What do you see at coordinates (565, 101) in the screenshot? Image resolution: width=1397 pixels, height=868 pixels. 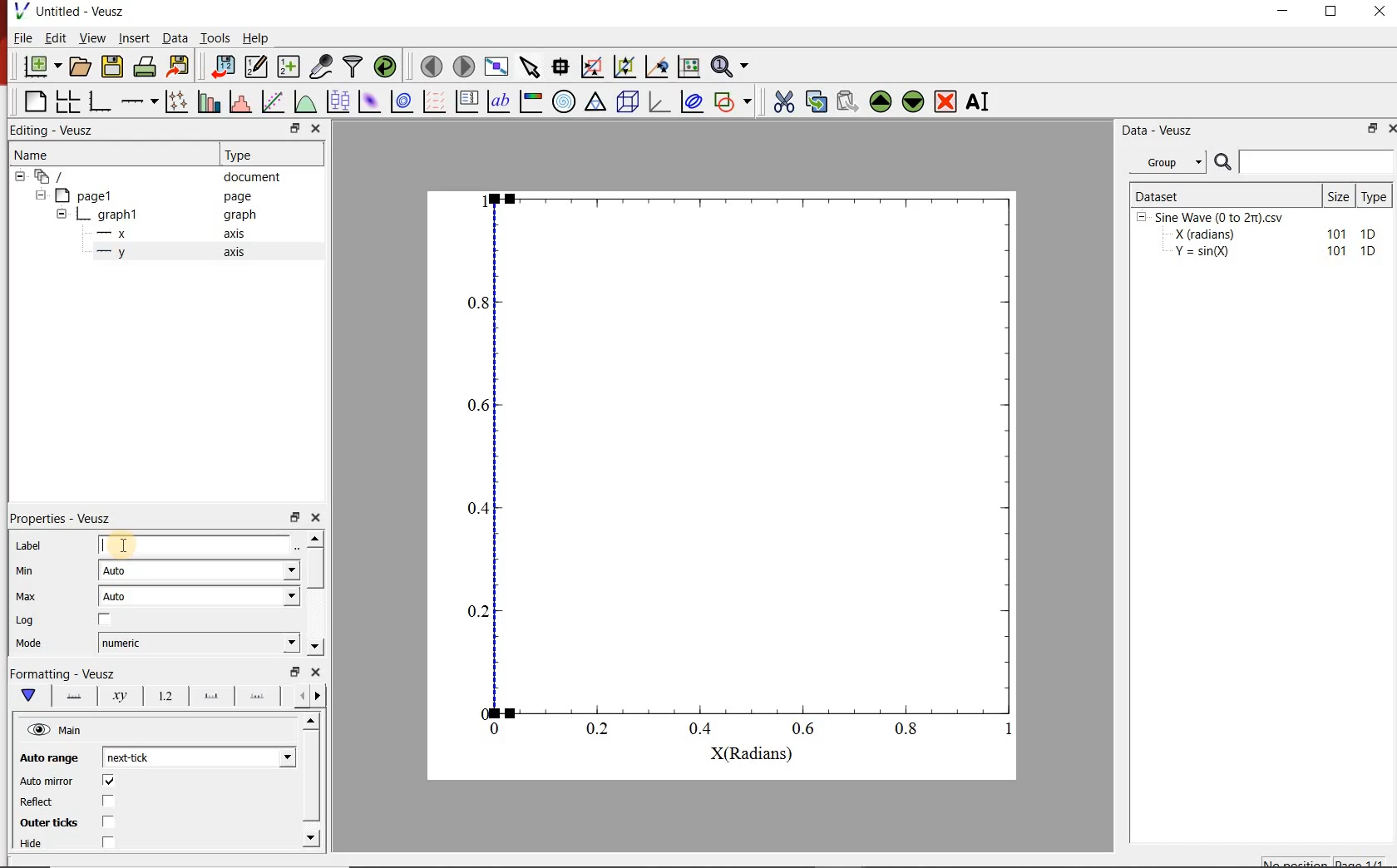 I see `Polar graph` at bounding box center [565, 101].